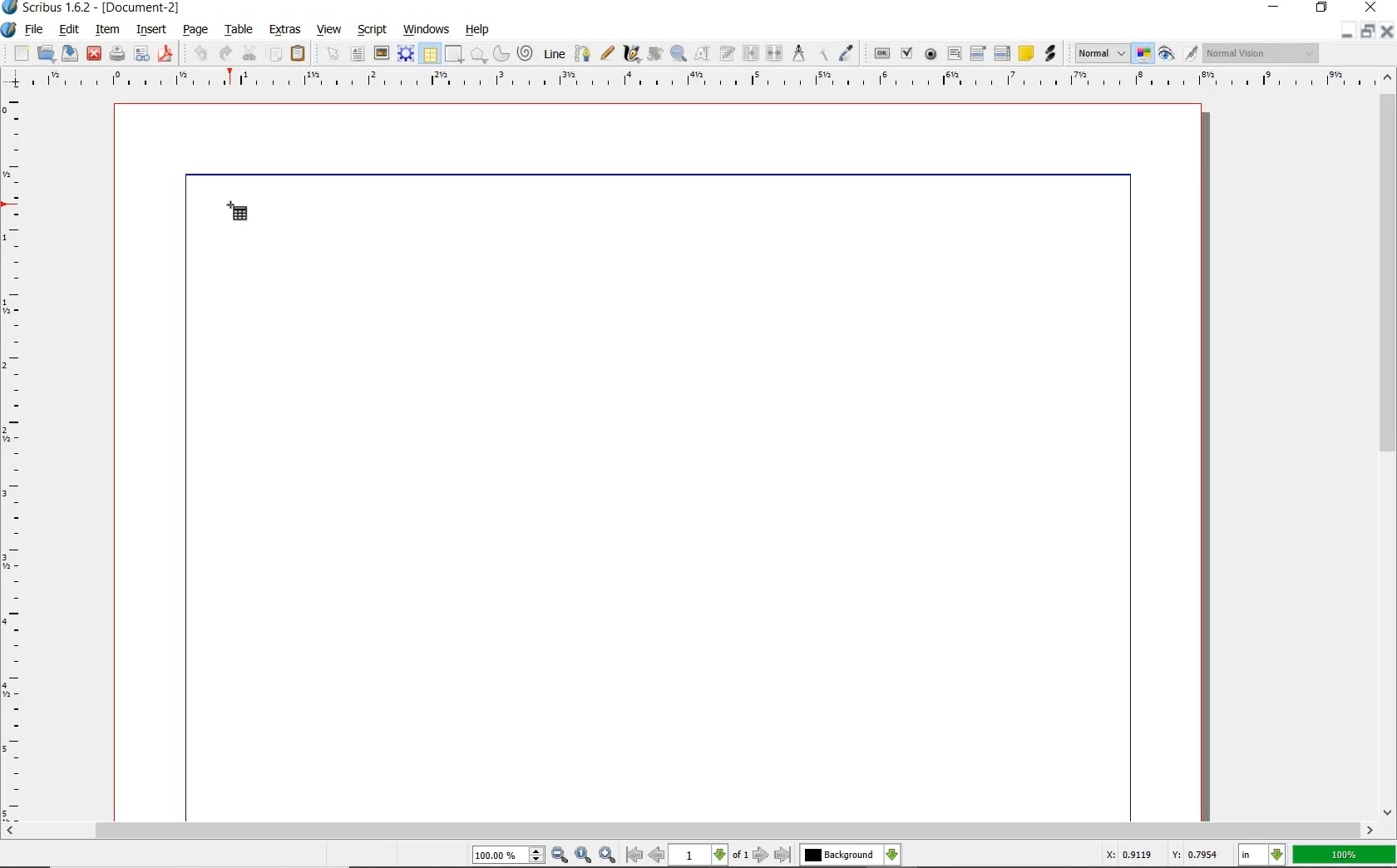 Image resolution: width=1397 pixels, height=868 pixels. Describe the element at coordinates (698, 832) in the screenshot. I see `scrollbar` at that location.